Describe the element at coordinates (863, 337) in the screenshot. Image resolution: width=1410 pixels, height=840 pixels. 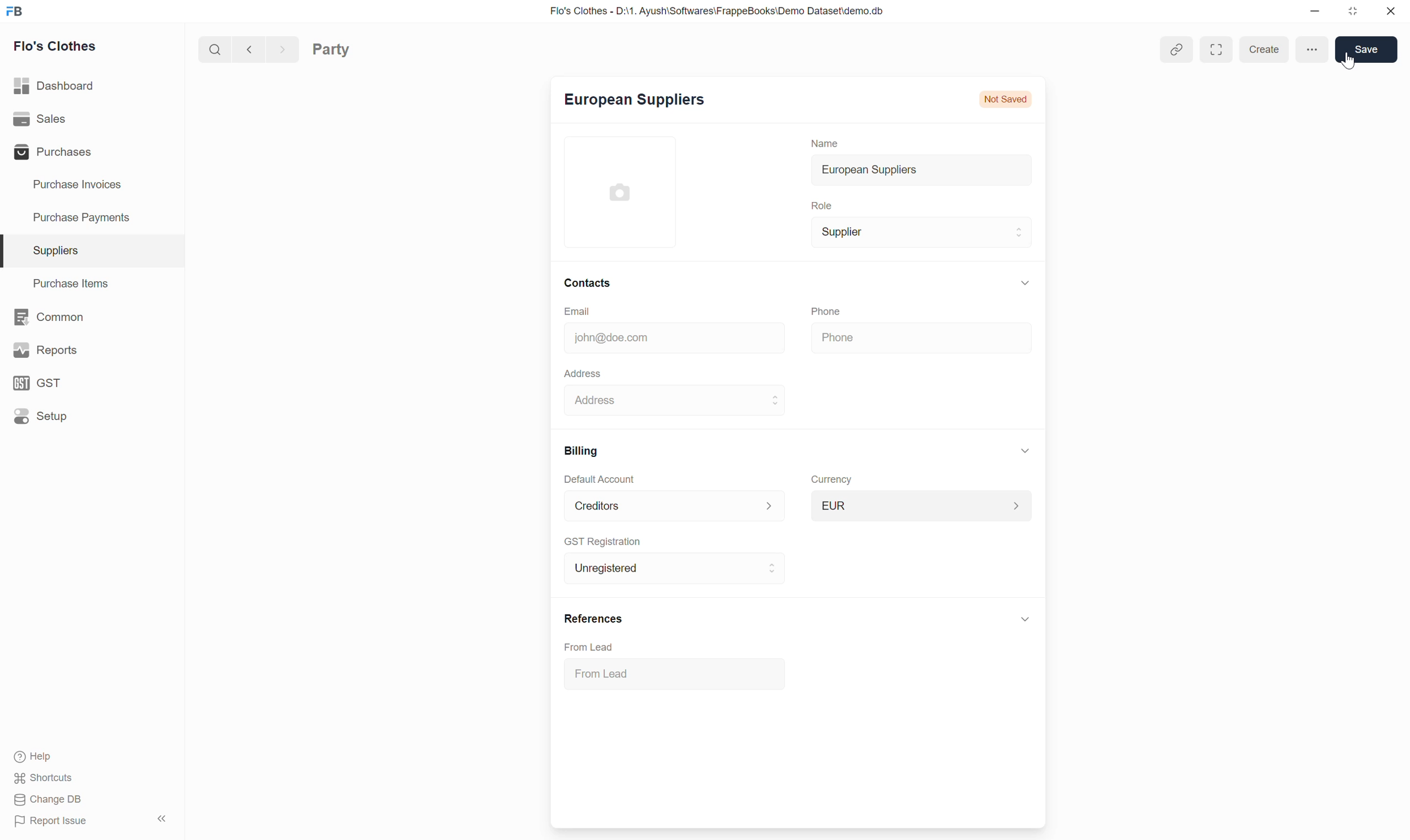
I see `Phone` at that location.